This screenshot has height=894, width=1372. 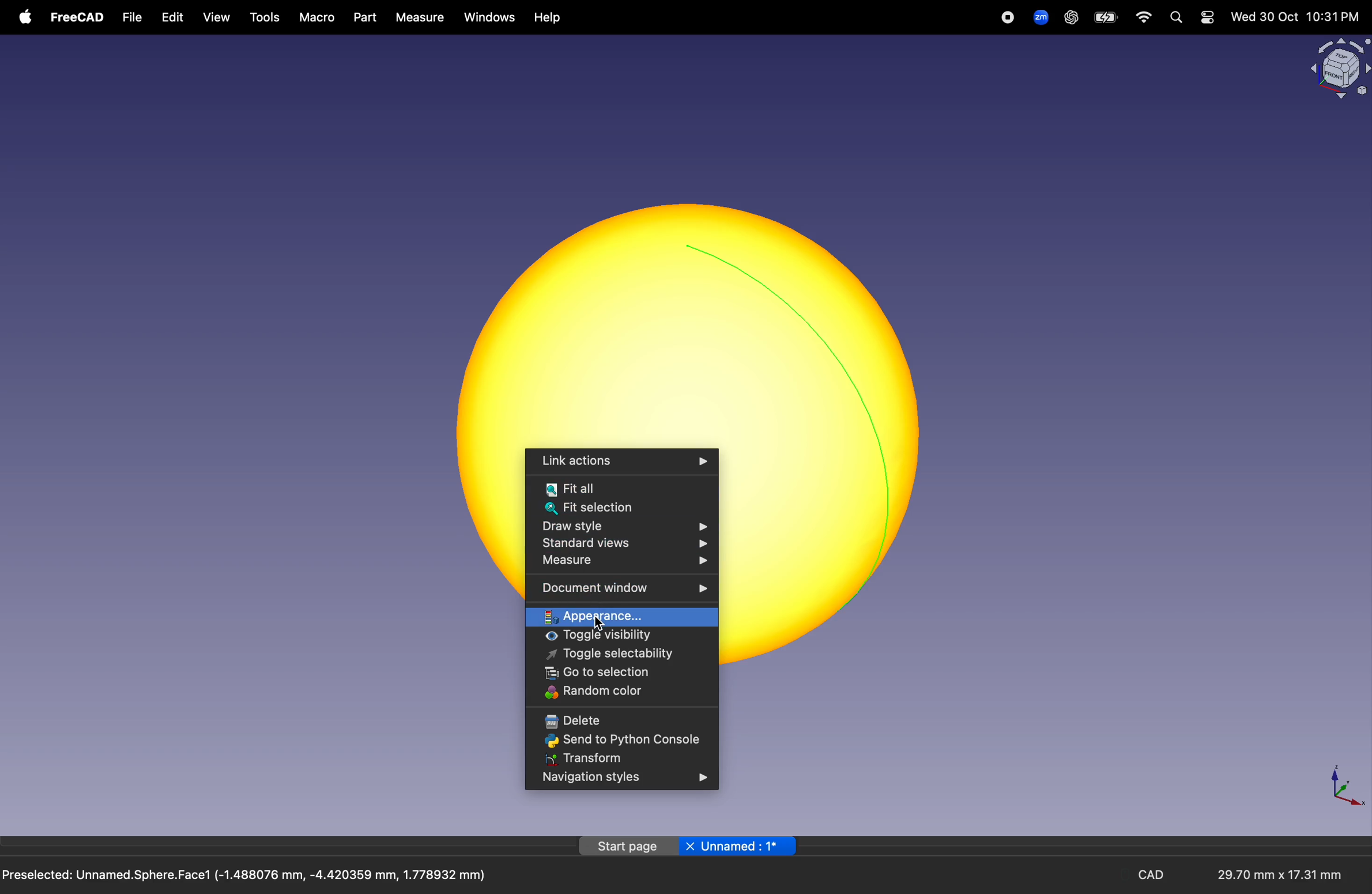 What do you see at coordinates (1175, 17) in the screenshot?
I see `search` at bounding box center [1175, 17].